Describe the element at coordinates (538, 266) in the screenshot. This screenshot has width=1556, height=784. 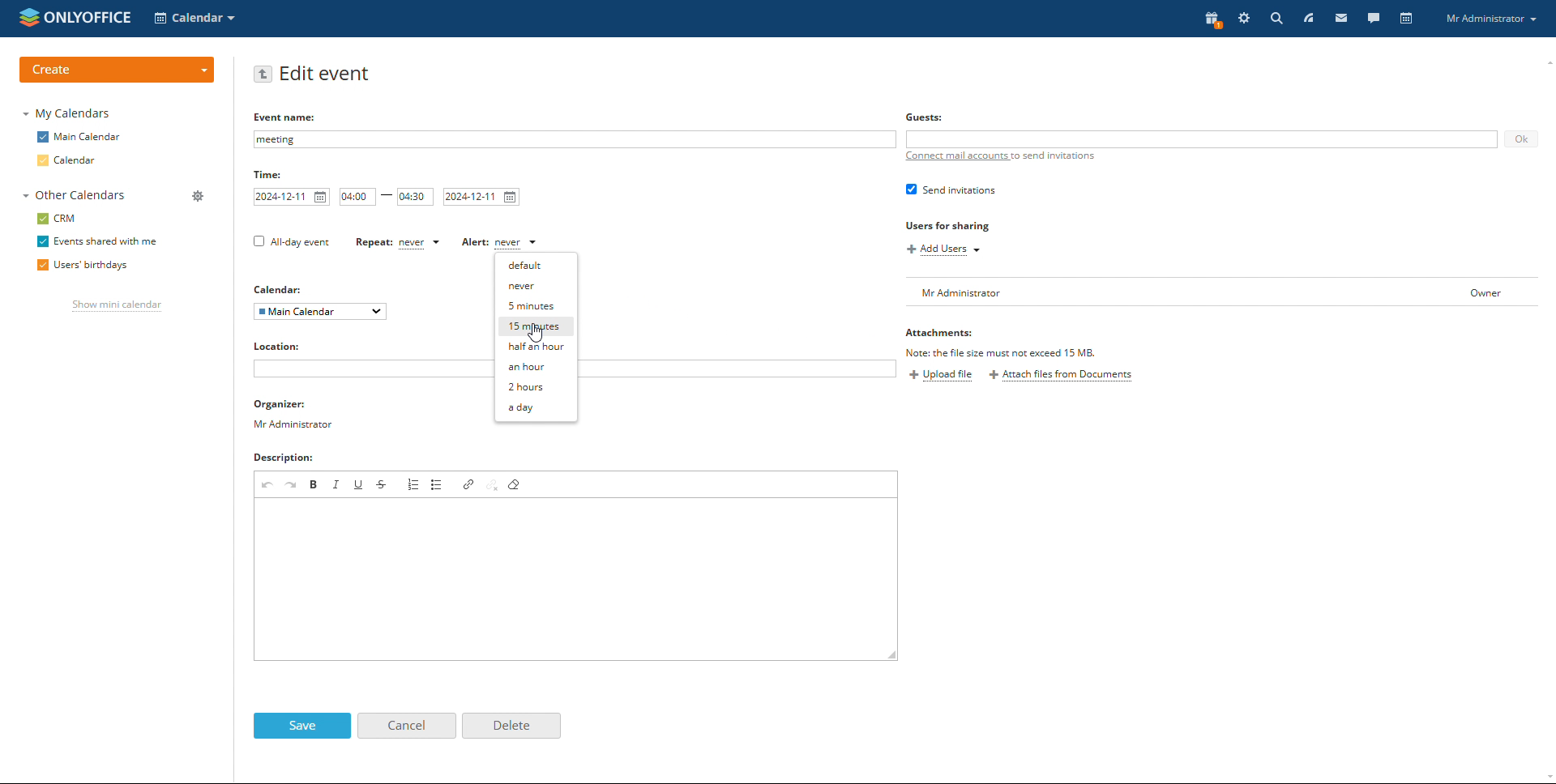
I see `default` at that location.